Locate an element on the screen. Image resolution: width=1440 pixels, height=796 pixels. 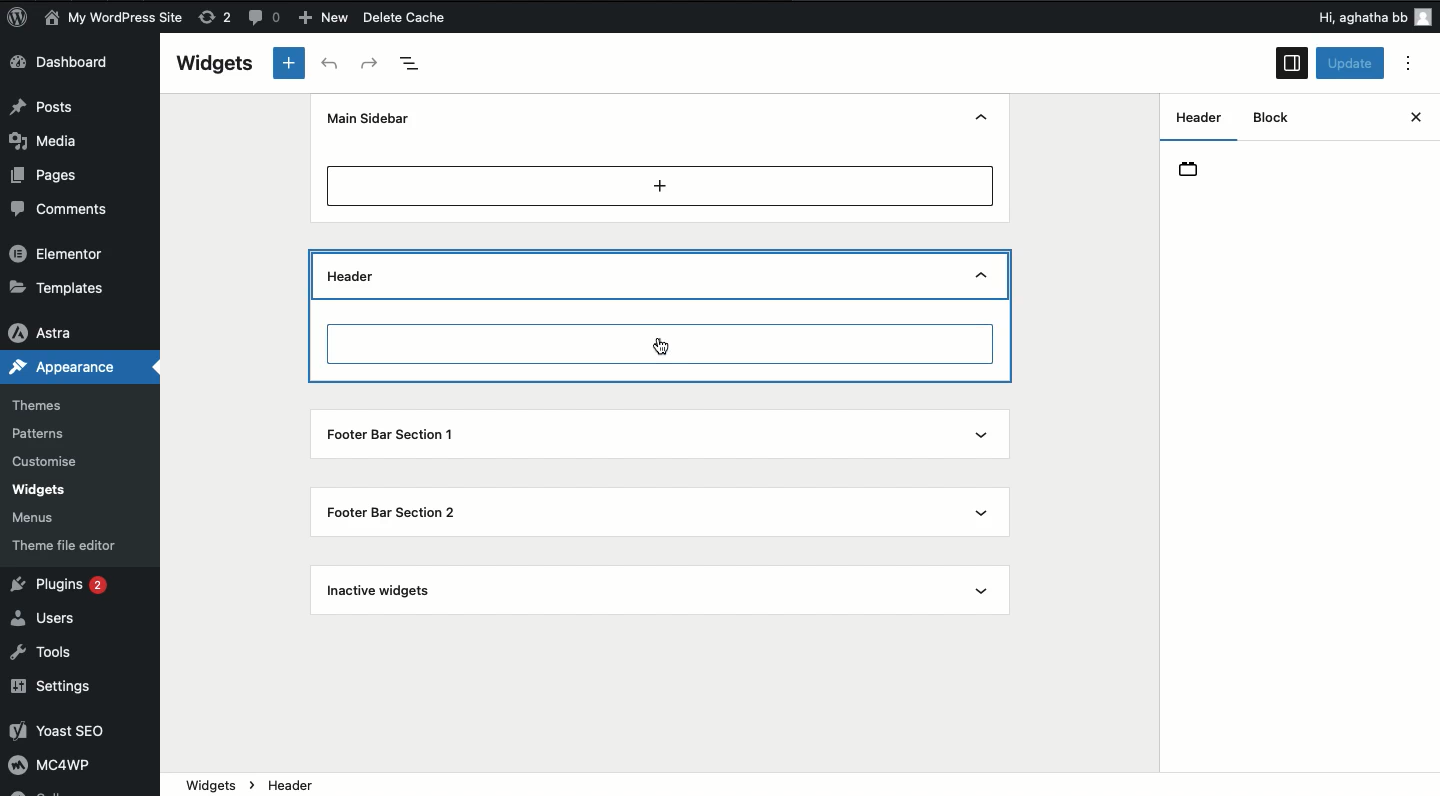
Widget areas is located at coordinates (1219, 126).